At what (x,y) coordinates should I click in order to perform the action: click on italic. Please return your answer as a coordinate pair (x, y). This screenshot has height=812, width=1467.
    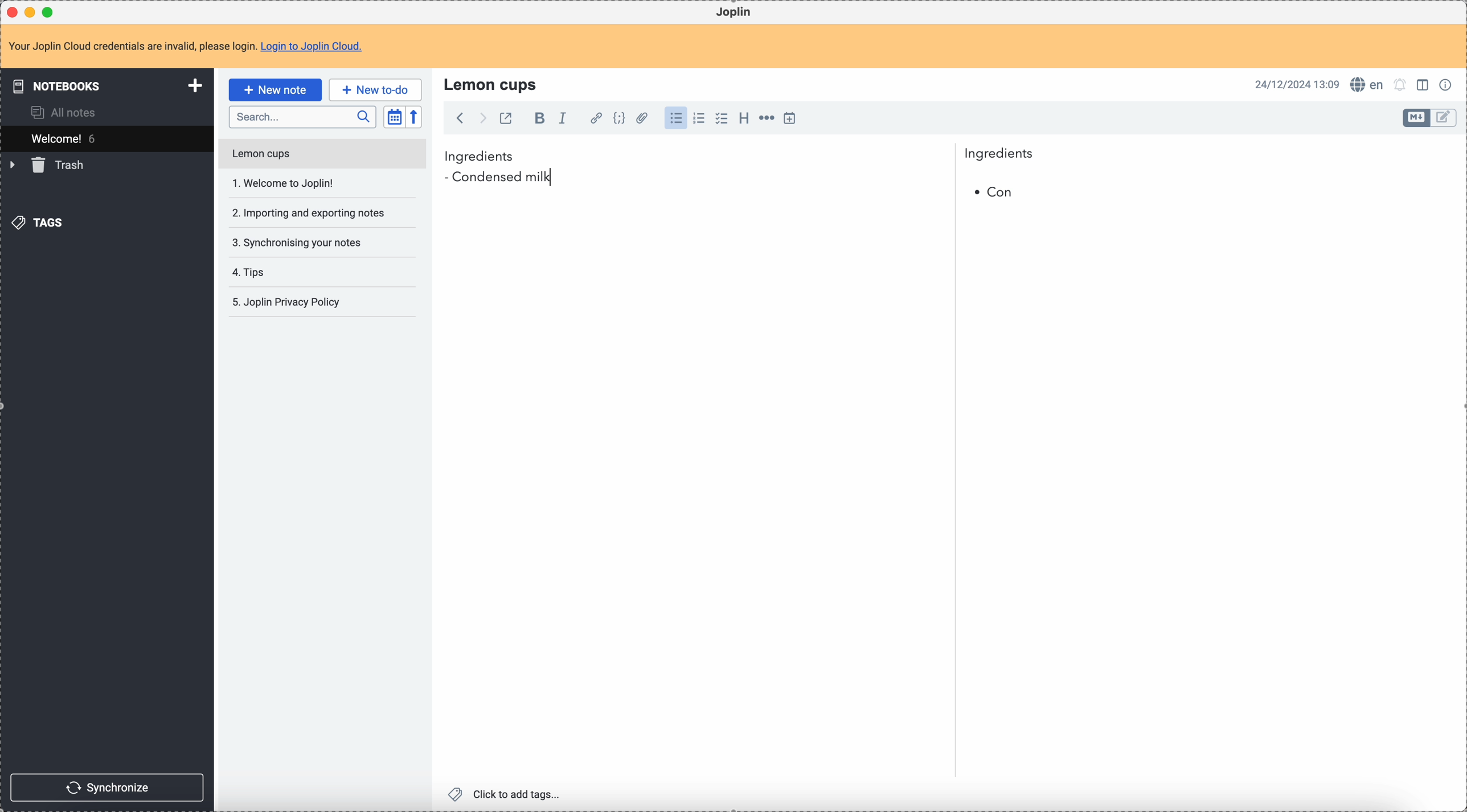
    Looking at the image, I should click on (562, 117).